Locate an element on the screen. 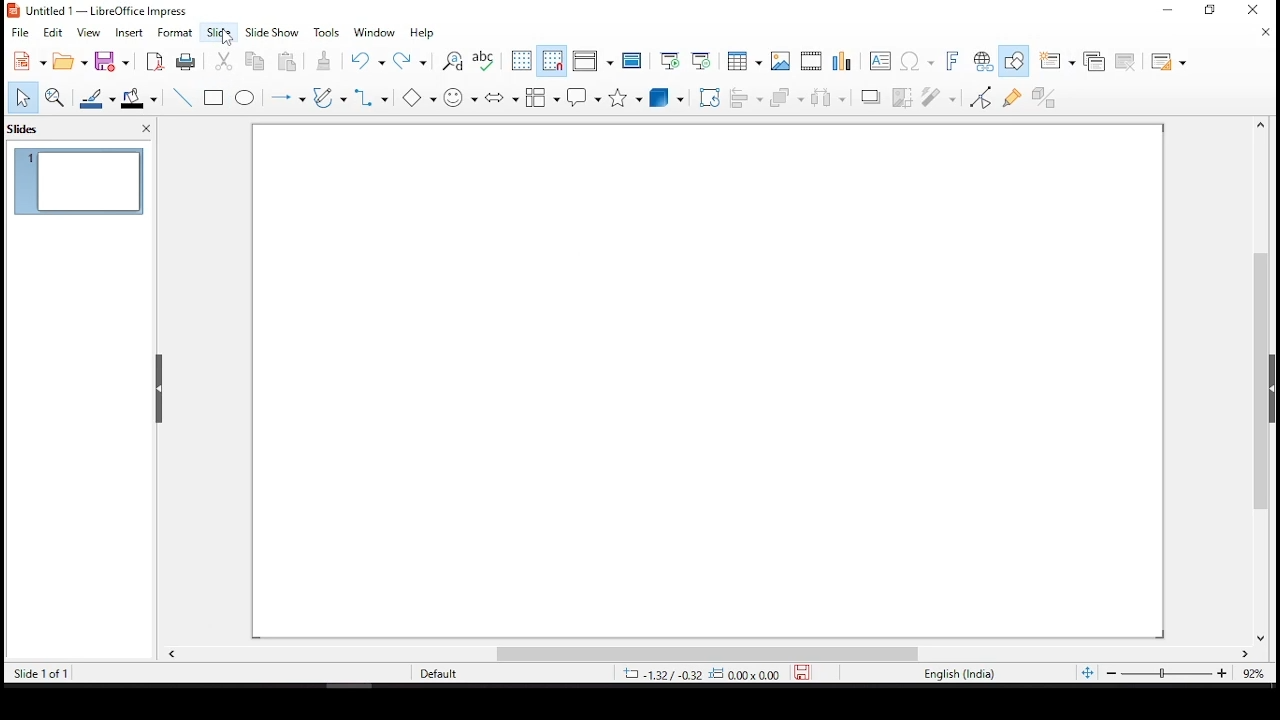  save is located at coordinates (112, 63).